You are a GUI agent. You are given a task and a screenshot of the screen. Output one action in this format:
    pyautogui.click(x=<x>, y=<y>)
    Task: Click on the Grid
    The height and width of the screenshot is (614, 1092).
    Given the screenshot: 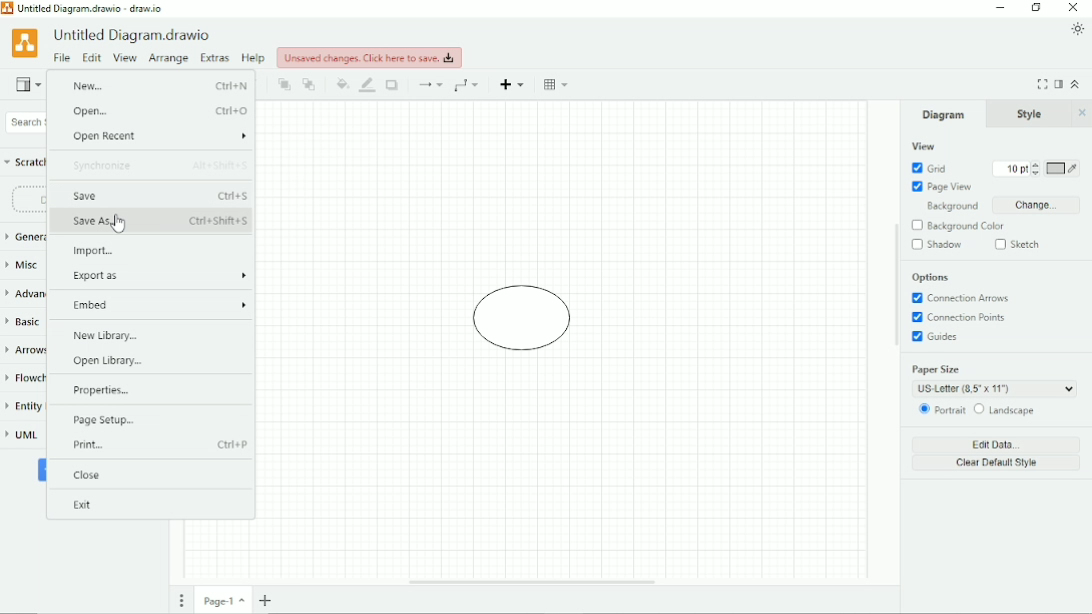 What is the action you would take?
    pyautogui.click(x=930, y=168)
    